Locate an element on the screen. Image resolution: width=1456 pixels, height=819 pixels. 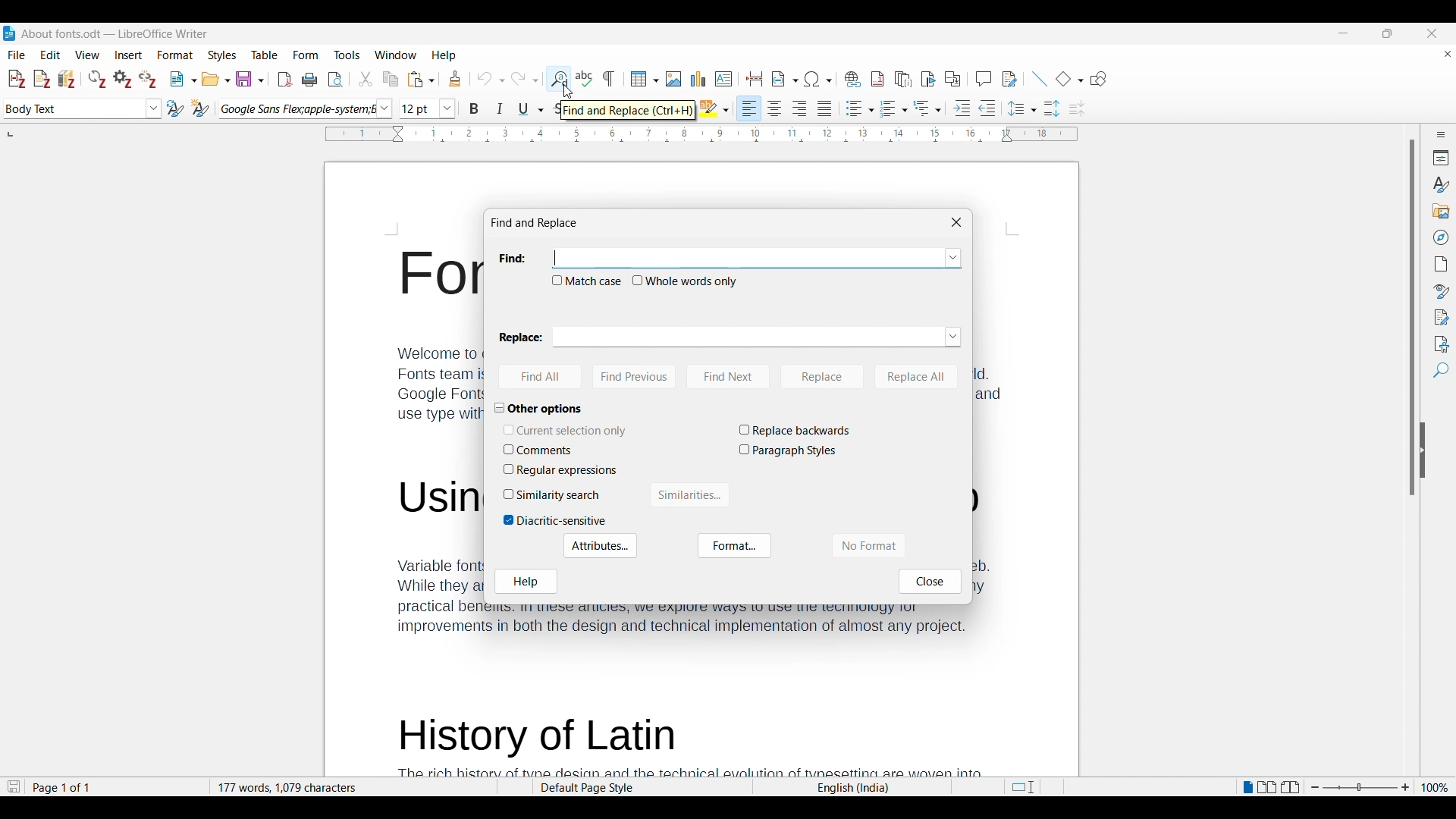
Sidebar settings is located at coordinates (1441, 134).